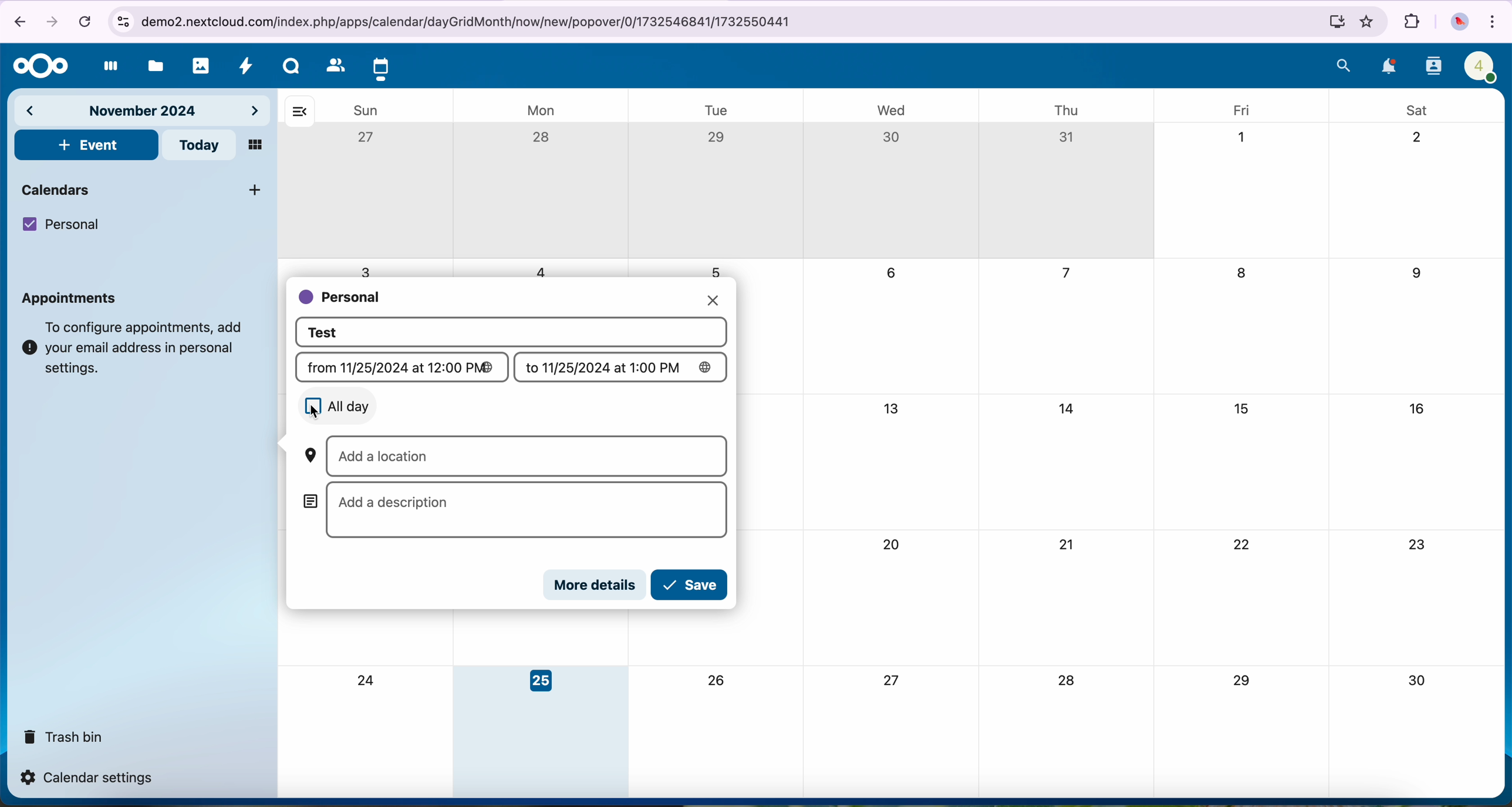 This screenshot has width=1512, height=807. What do you see at coordinates (1335, 21) in the screenshot?
I see `install Nextcloud` at bounding box center [1335, 21].